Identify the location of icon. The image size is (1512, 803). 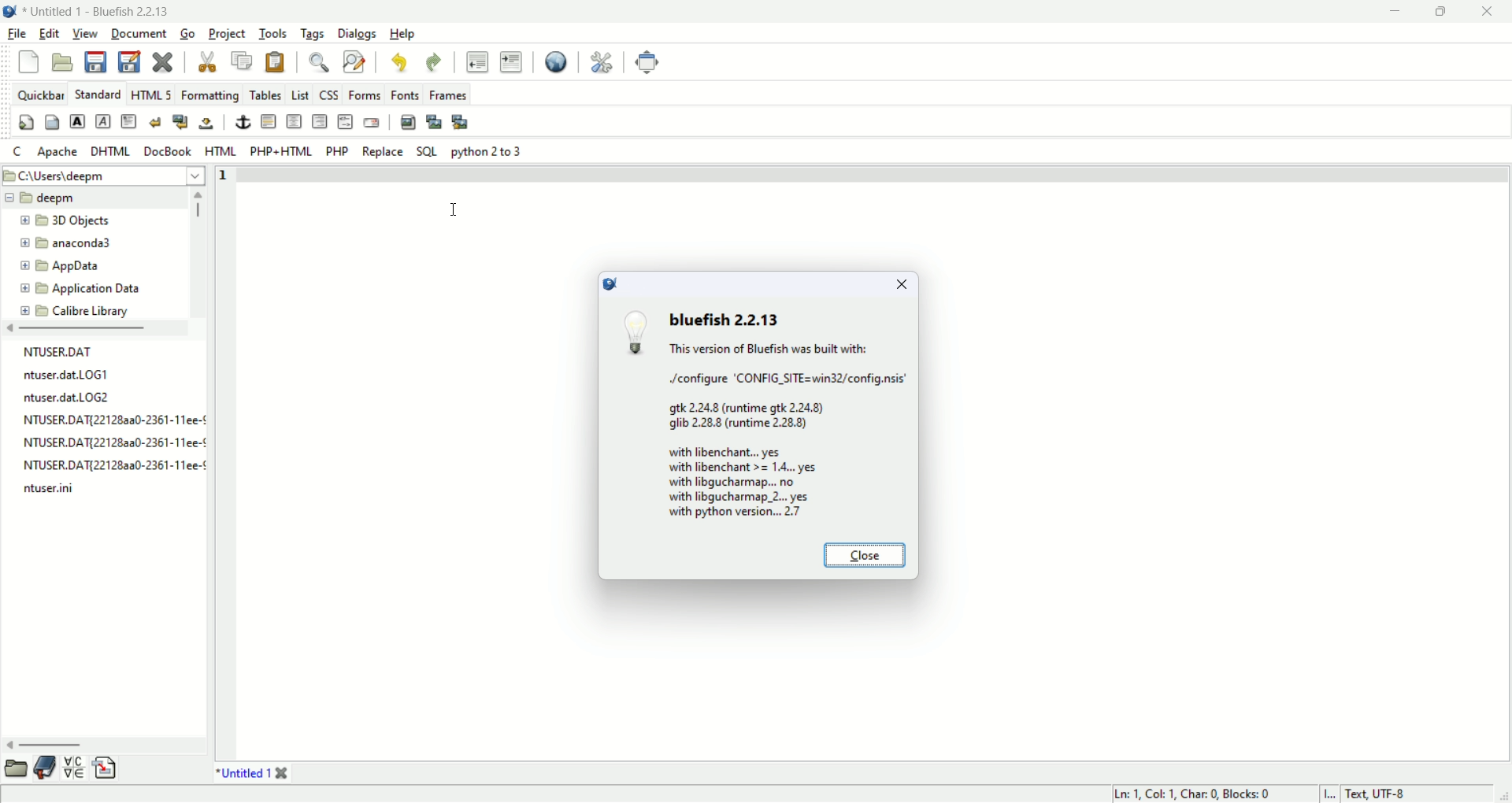
(612, 283).